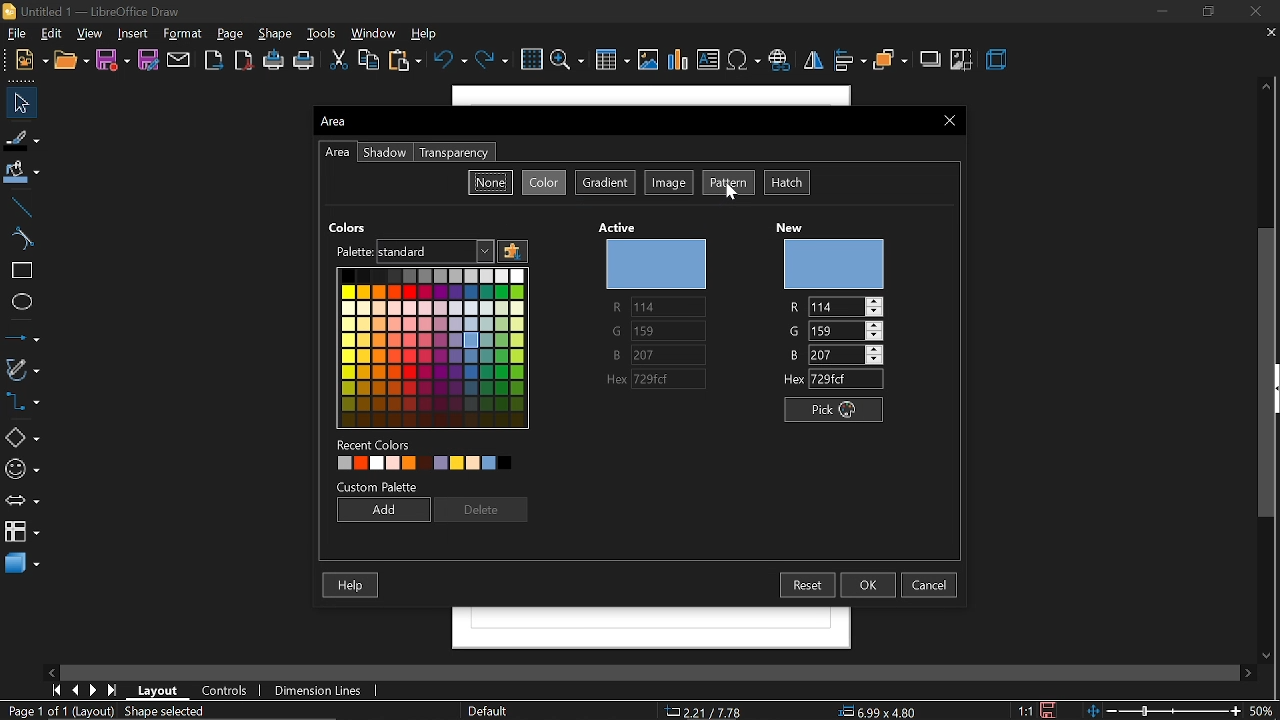 Image resolution: width=1280 pixels, height=720 pixels. Describe the element at coordinates (664, 308) in the screenshot. I see `114` at that location.